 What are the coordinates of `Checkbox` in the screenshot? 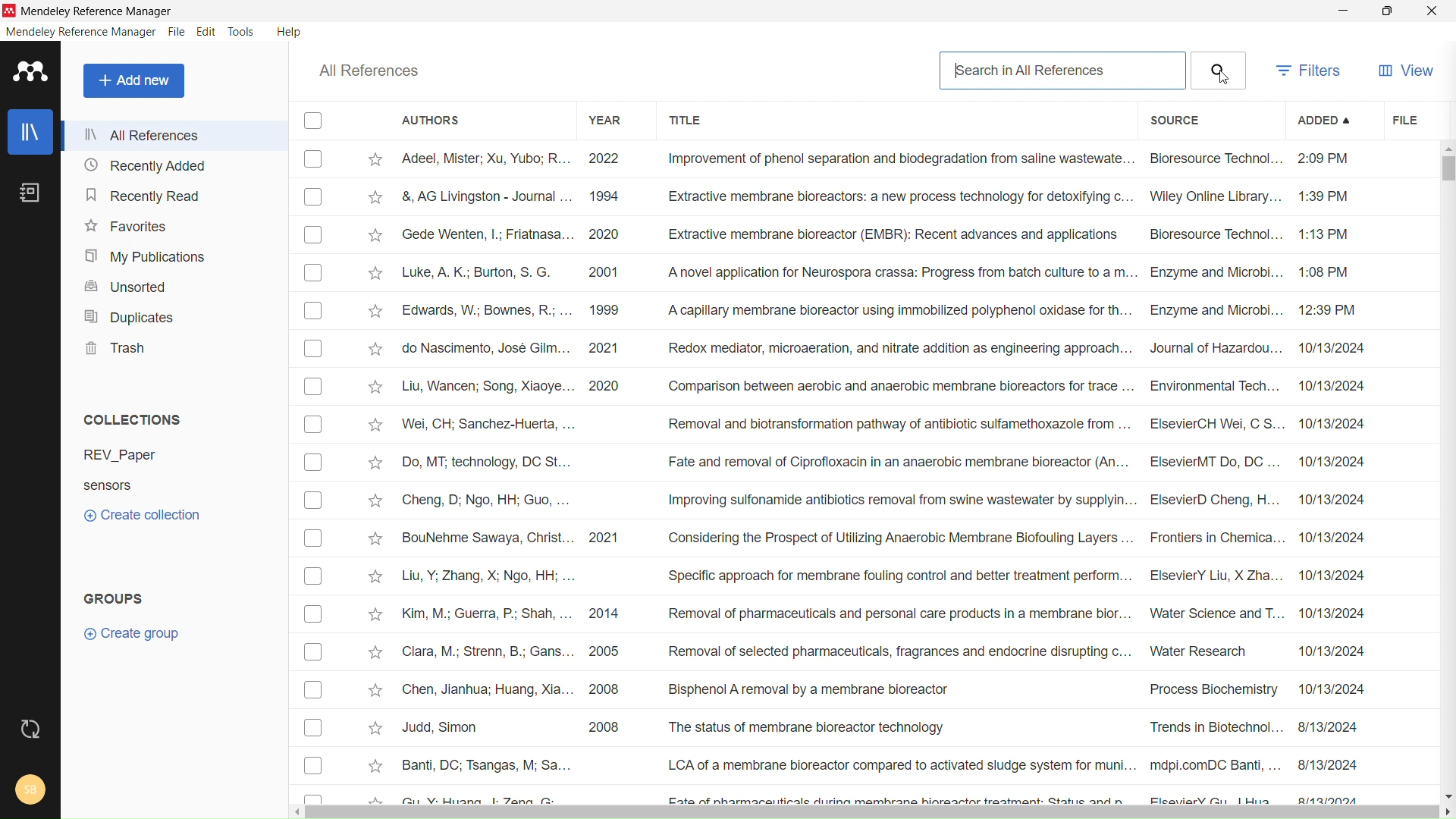 It's located at (314, 730).